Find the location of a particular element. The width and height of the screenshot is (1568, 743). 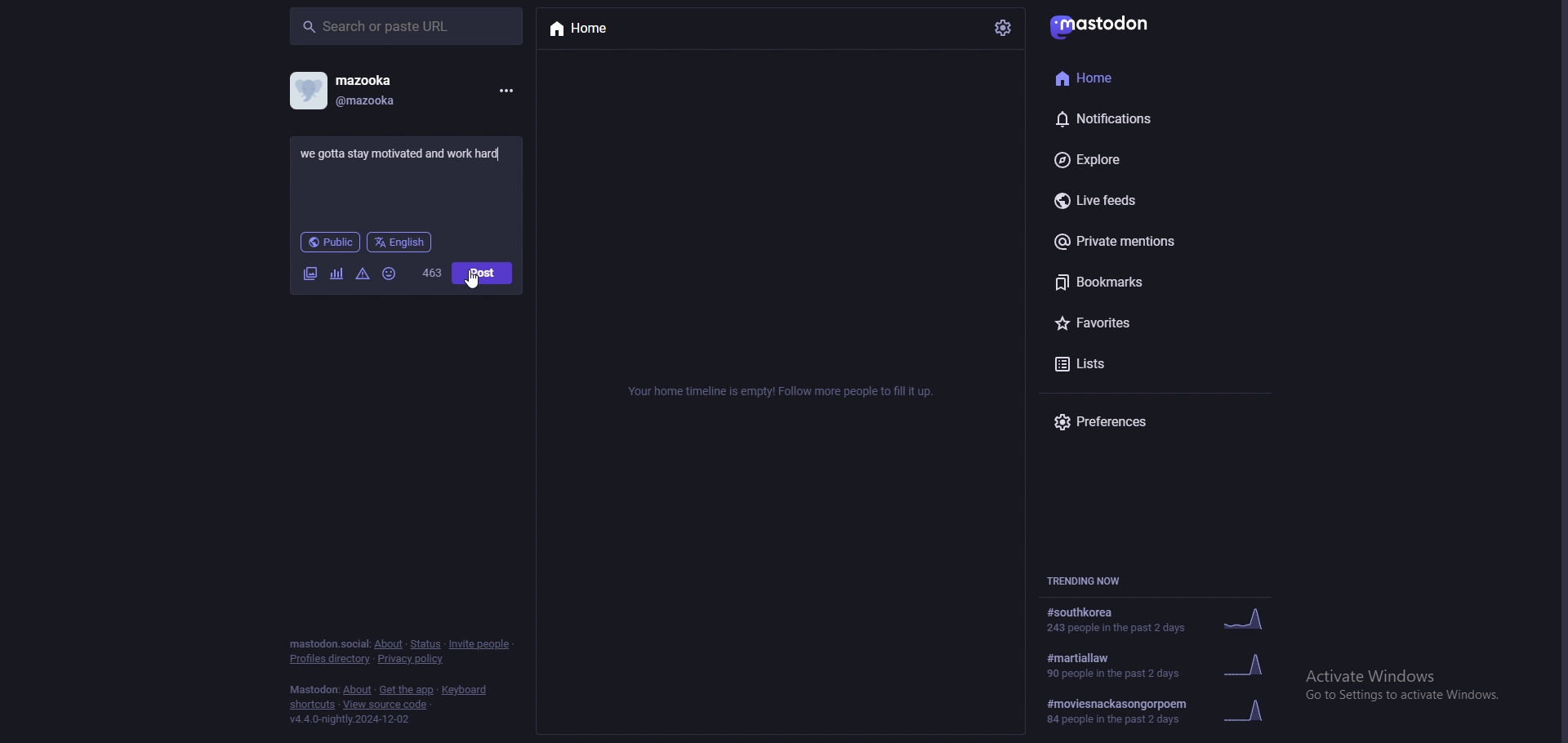

live feeds is located at coordinates (1134, 198).